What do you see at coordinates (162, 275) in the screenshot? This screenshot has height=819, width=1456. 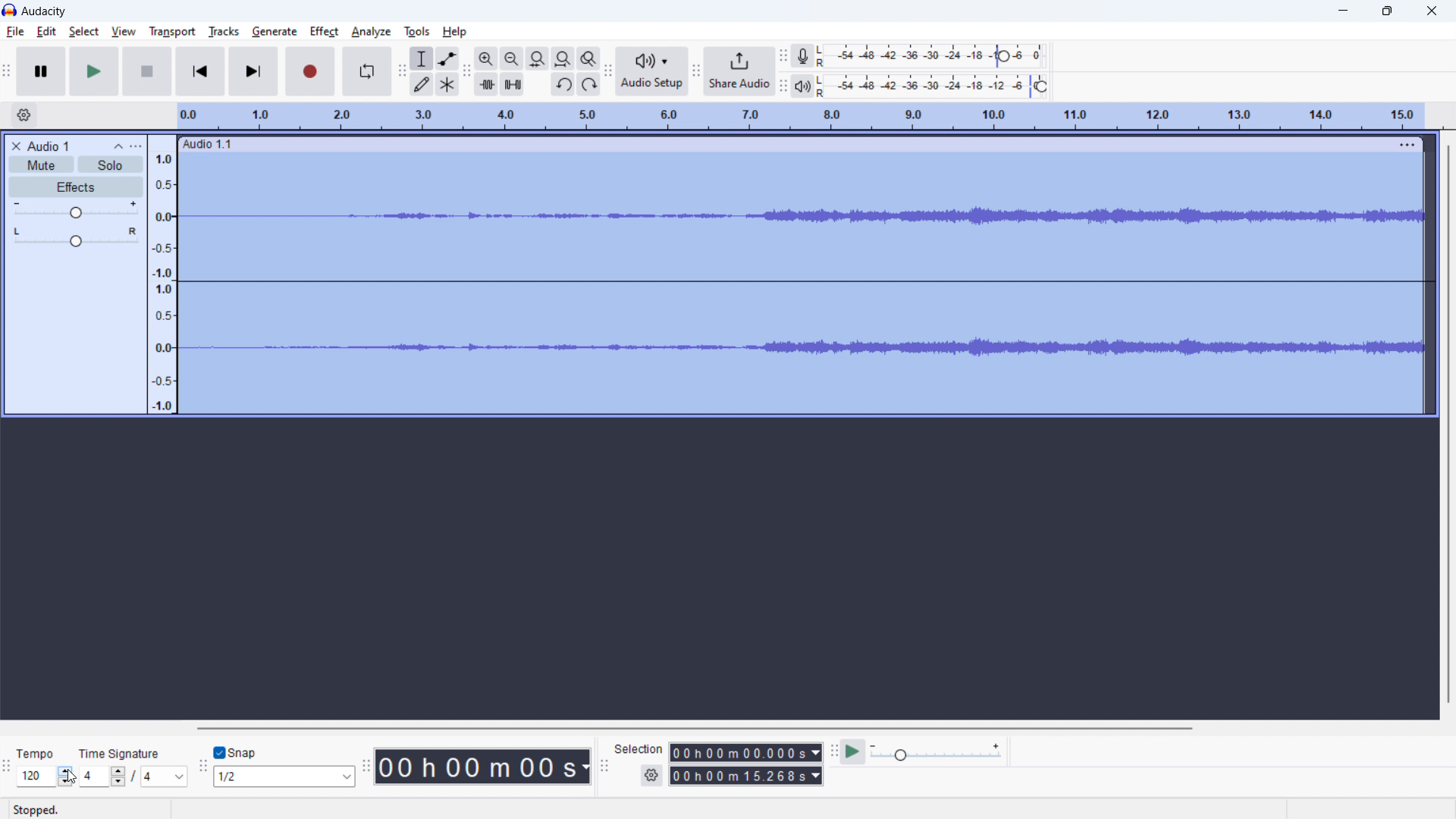 I see `amplitude` at bounding box center [162, 275].